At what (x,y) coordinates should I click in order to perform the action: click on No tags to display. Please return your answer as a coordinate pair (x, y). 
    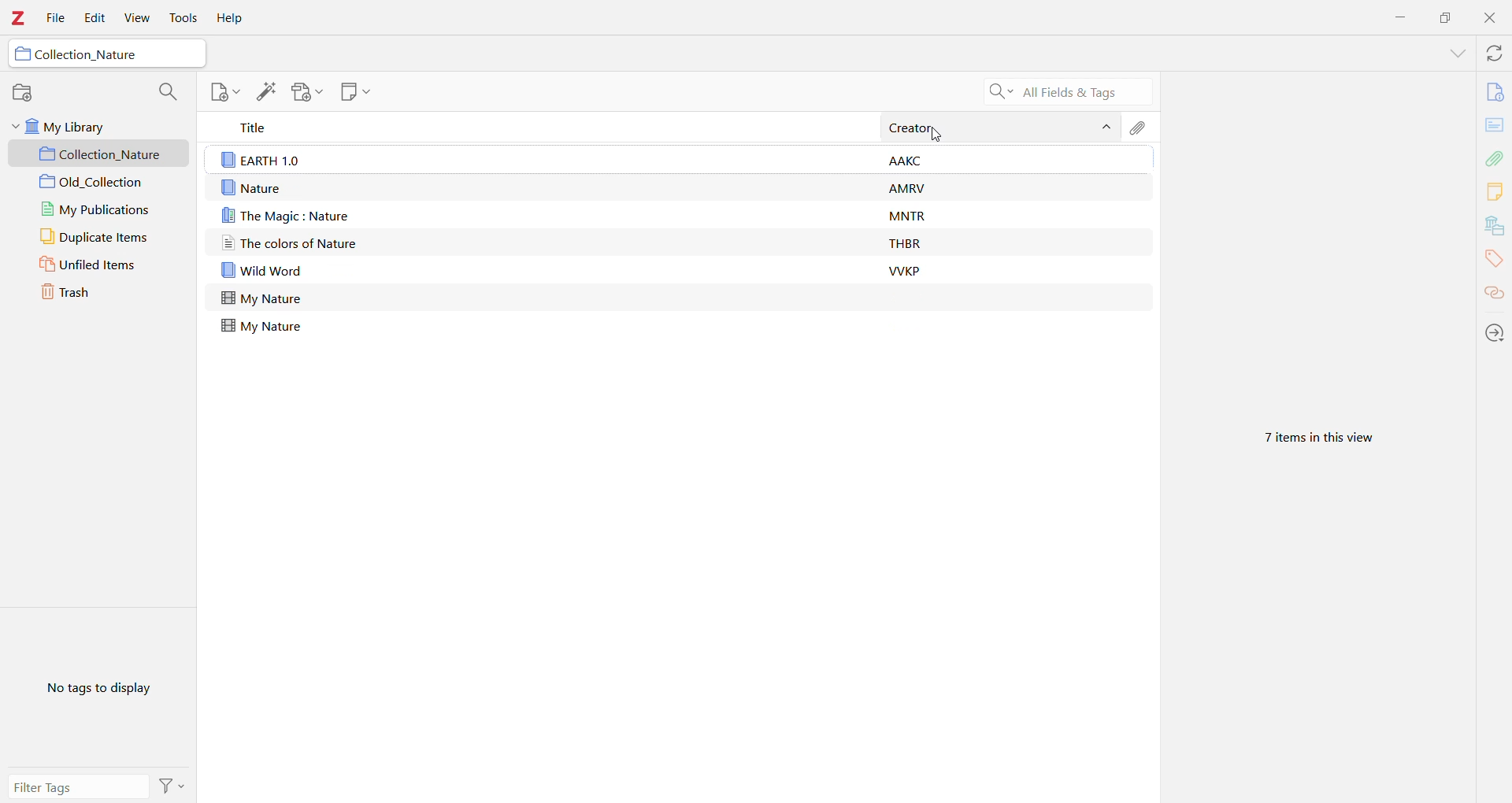
    Looking at the image, I should click on (103, 691).